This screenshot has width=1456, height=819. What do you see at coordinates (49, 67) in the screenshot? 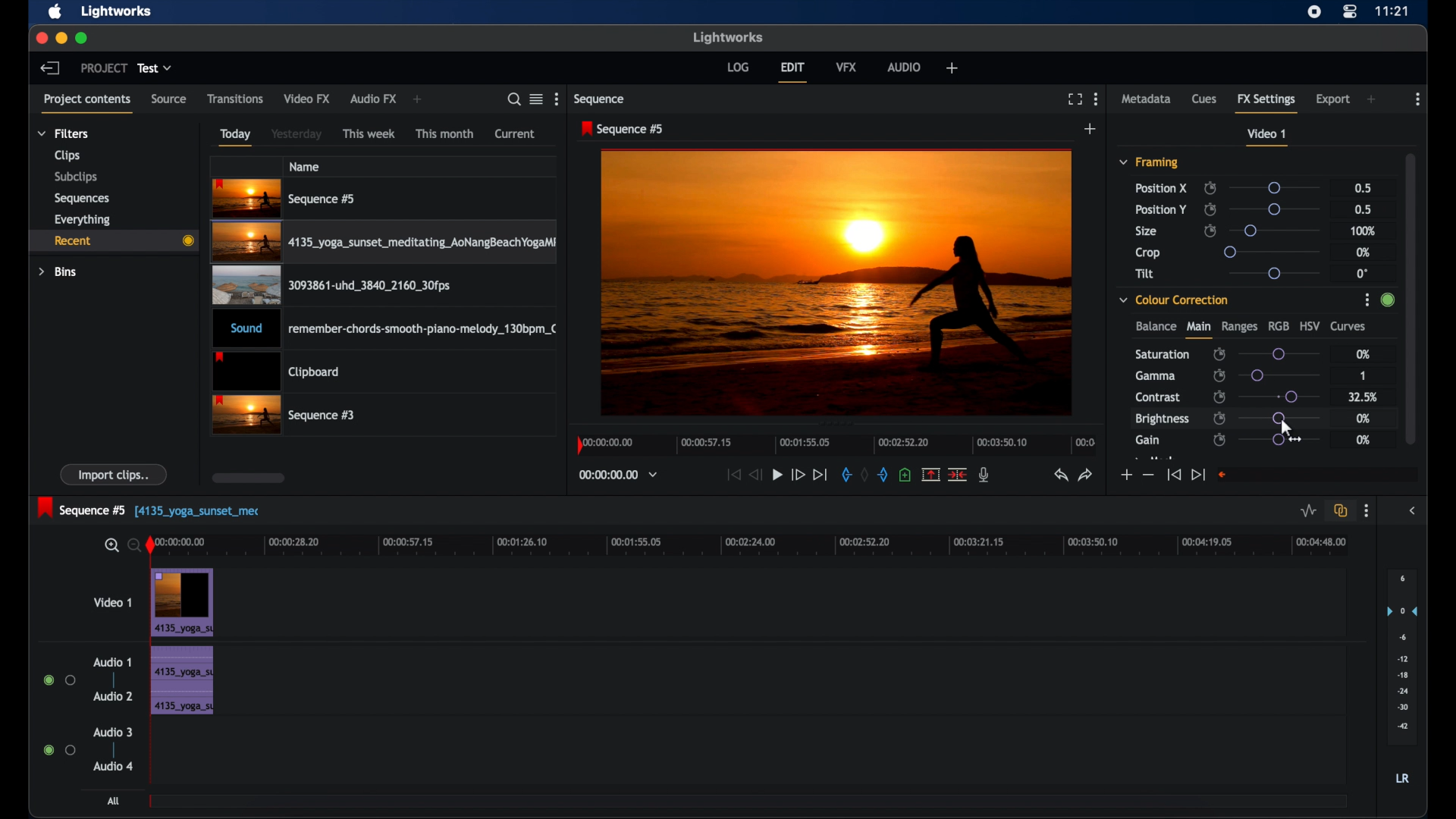
I see `back` at bounding box center [49, 67].